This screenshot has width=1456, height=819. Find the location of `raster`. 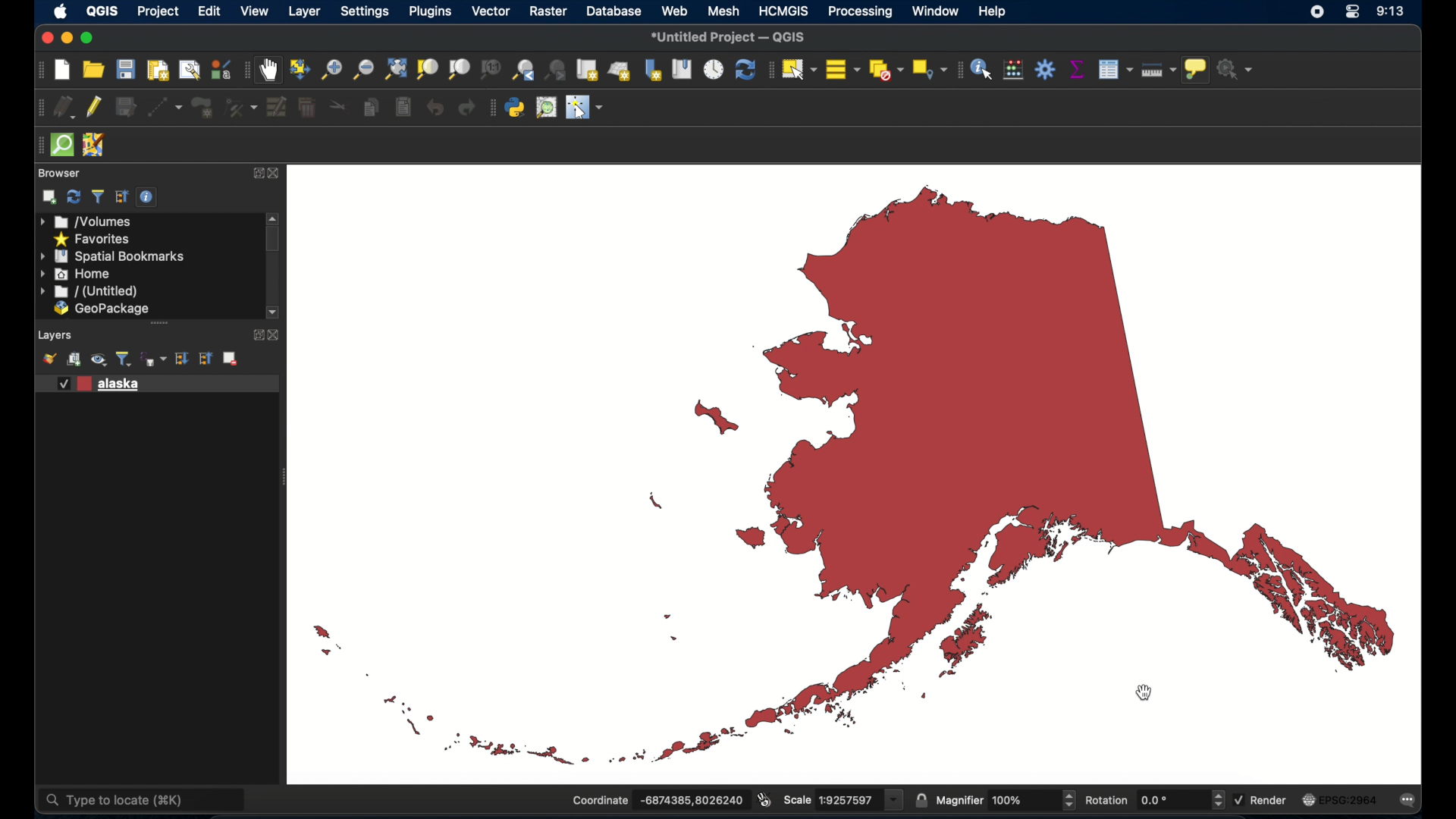

raster is located at coordinates (545, 12).